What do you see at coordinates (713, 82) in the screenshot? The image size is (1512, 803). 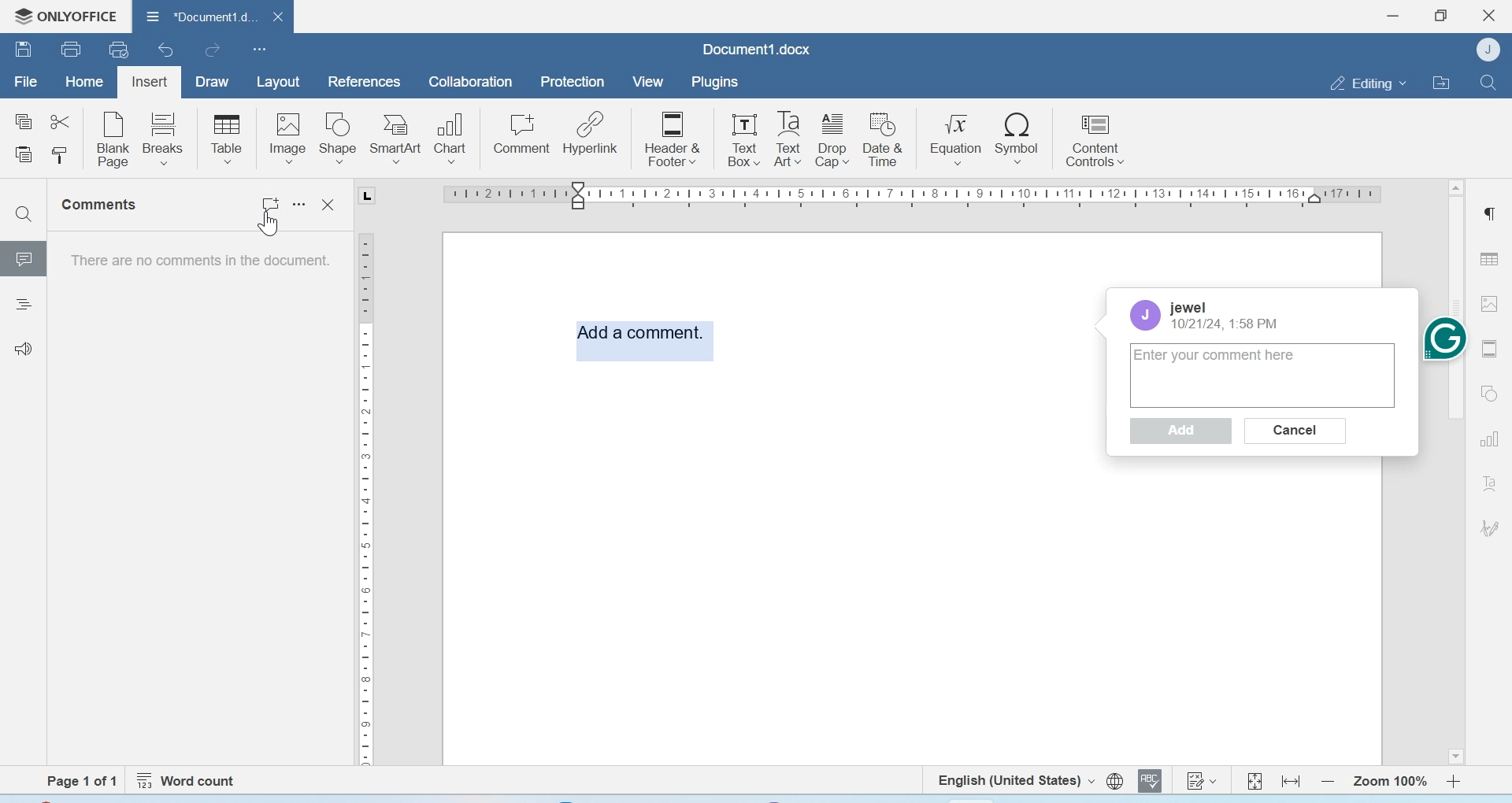 I see `Plugins` at bounding box center [713, 82].